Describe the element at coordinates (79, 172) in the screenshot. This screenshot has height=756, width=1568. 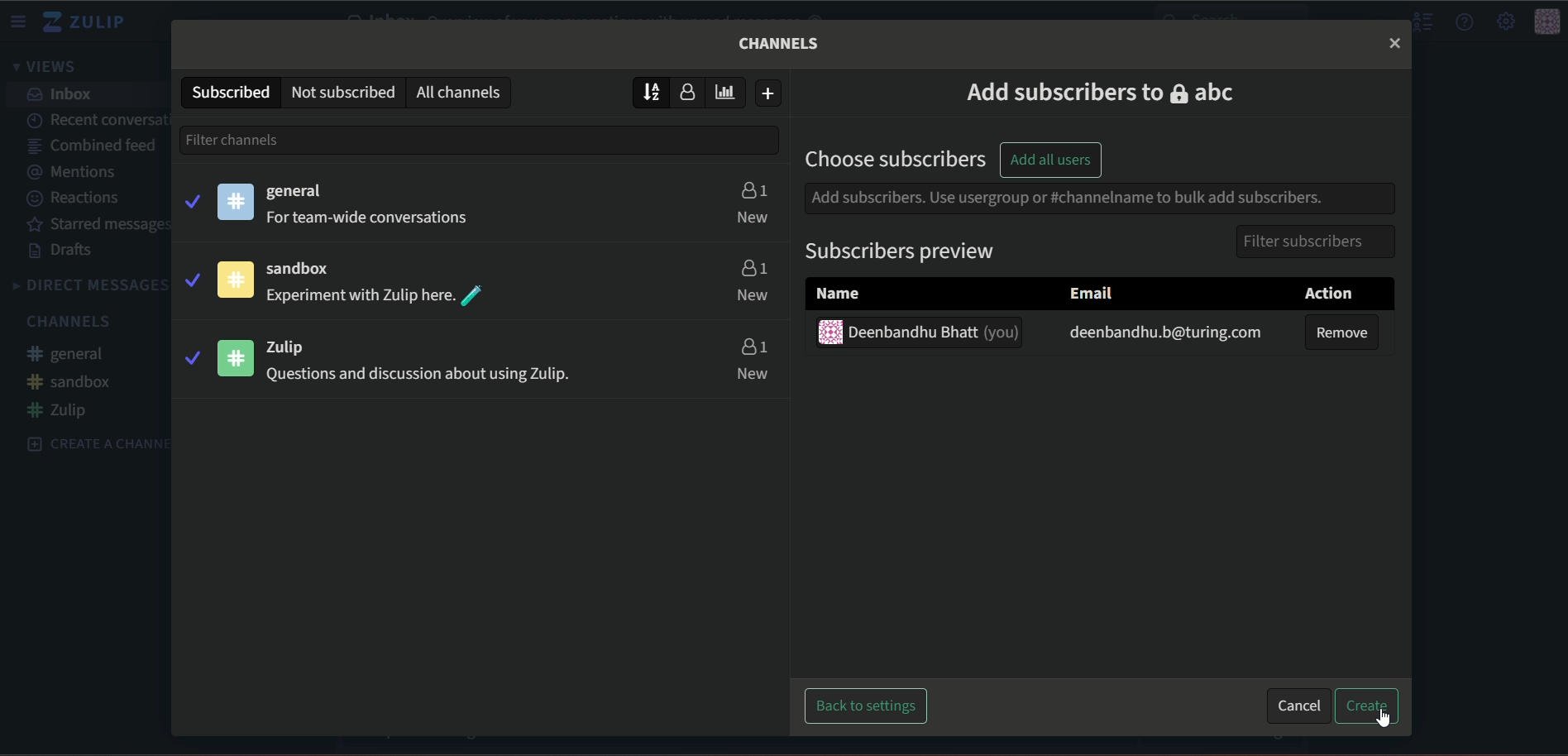
I see `mentions` at that location.